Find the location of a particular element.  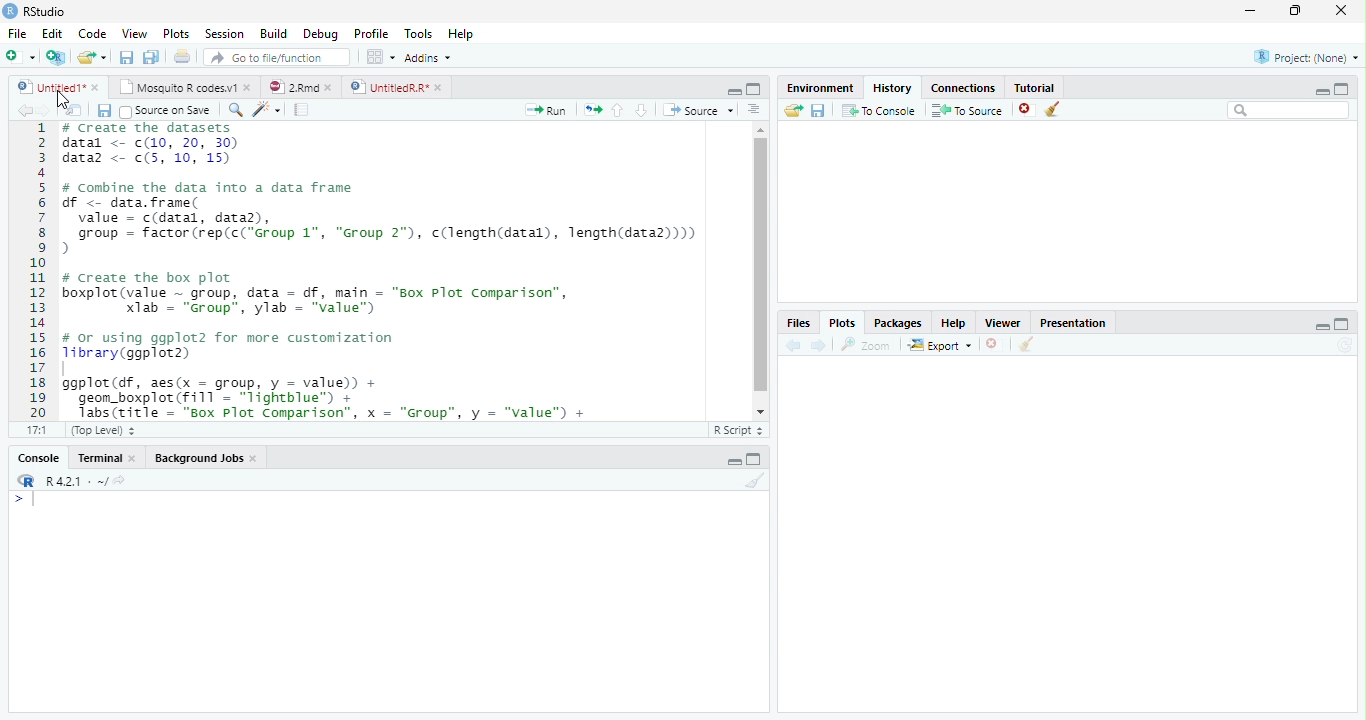

Mosquito R codes.v1 is located at coordinates (175, 87).